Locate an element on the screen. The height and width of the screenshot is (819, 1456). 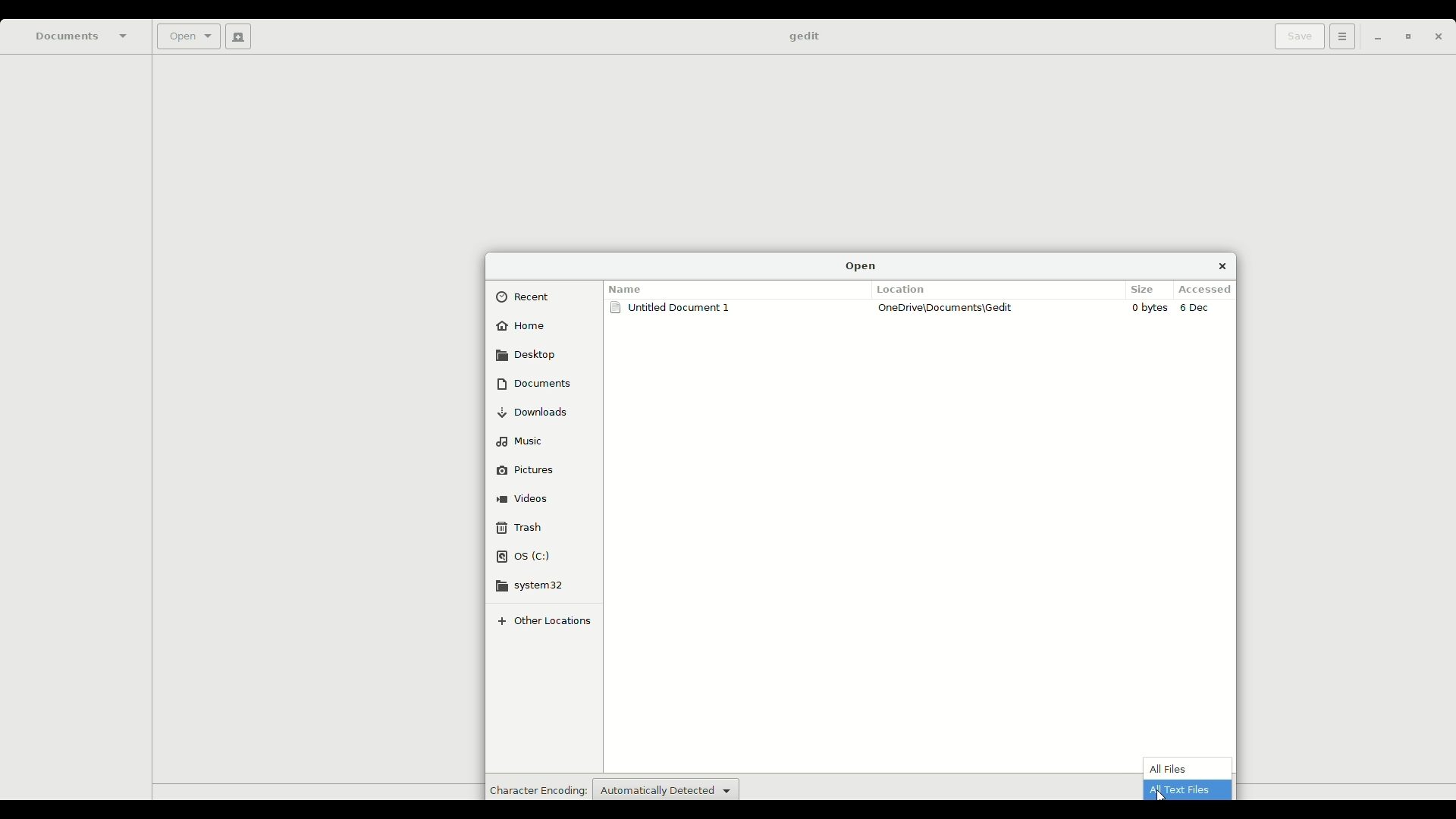
Minimize is located at coordinates (1373, 38).